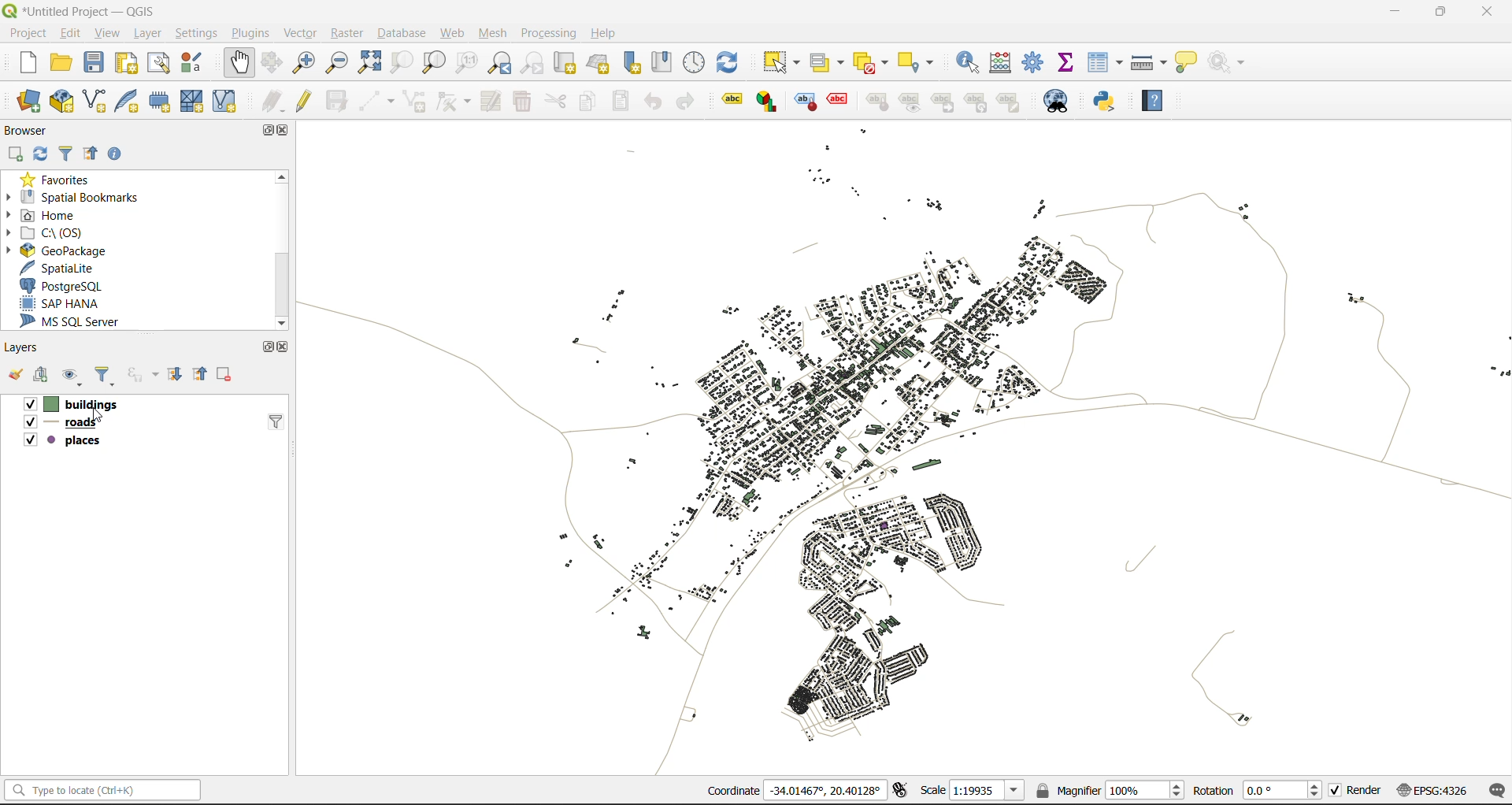 This screenshot has width=1512, height=805. Describe the element at coordinates (42, 376) in the screenshot. I see `add` at that location.